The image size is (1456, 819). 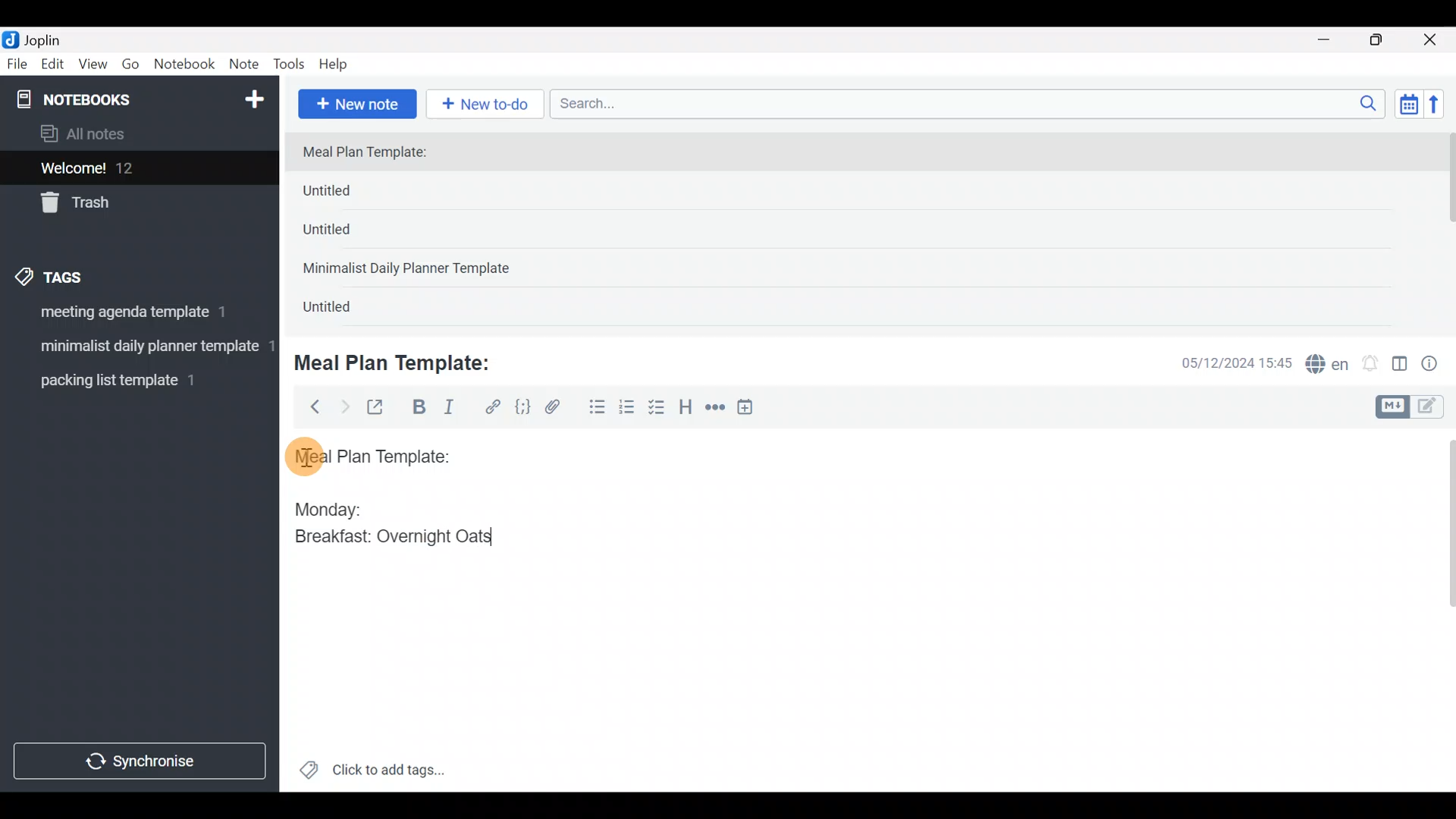 I want to click on Untitled, so click(x=347, y=234).